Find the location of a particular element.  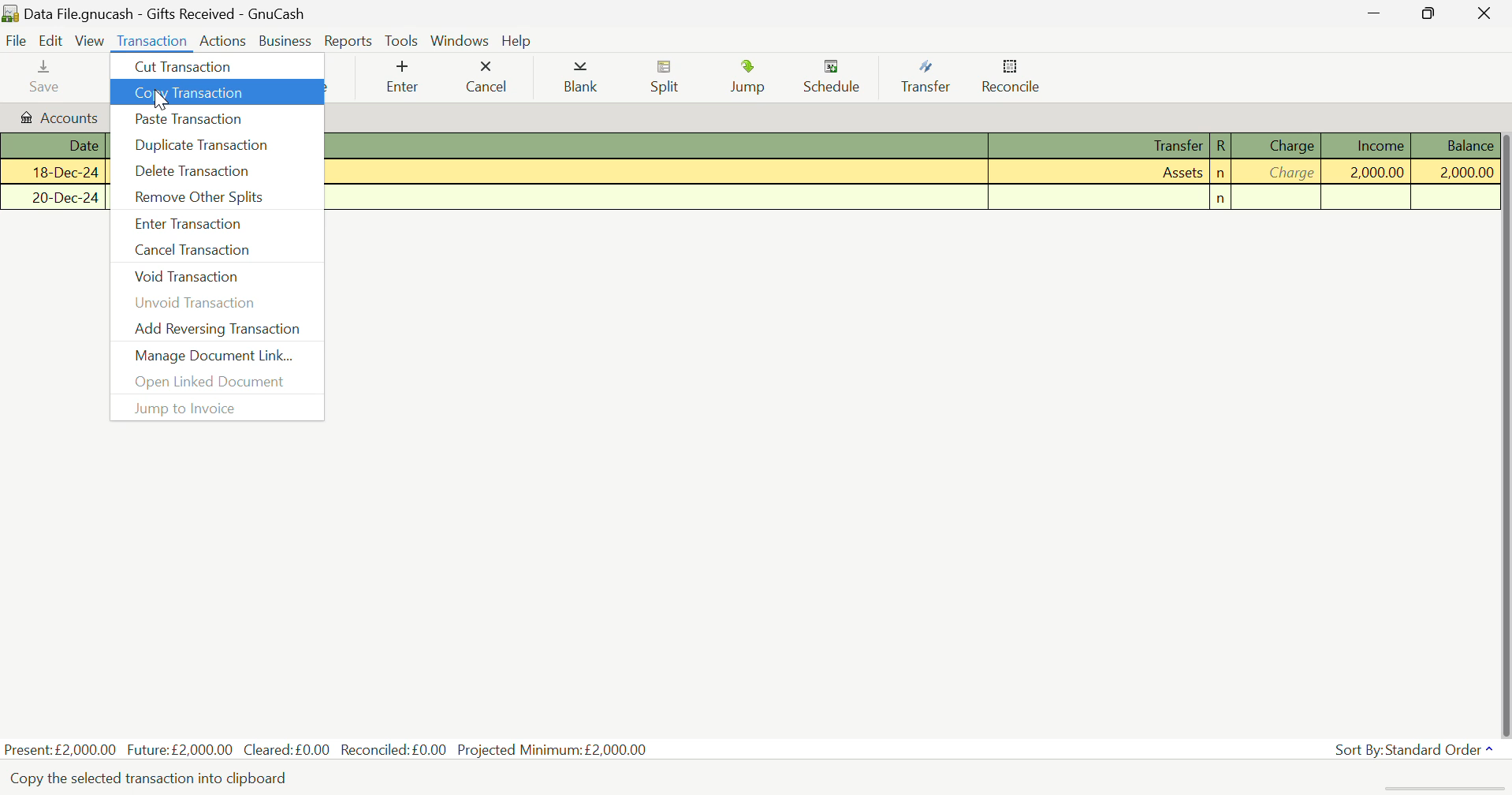

n is located at coordinates (1221, 199).